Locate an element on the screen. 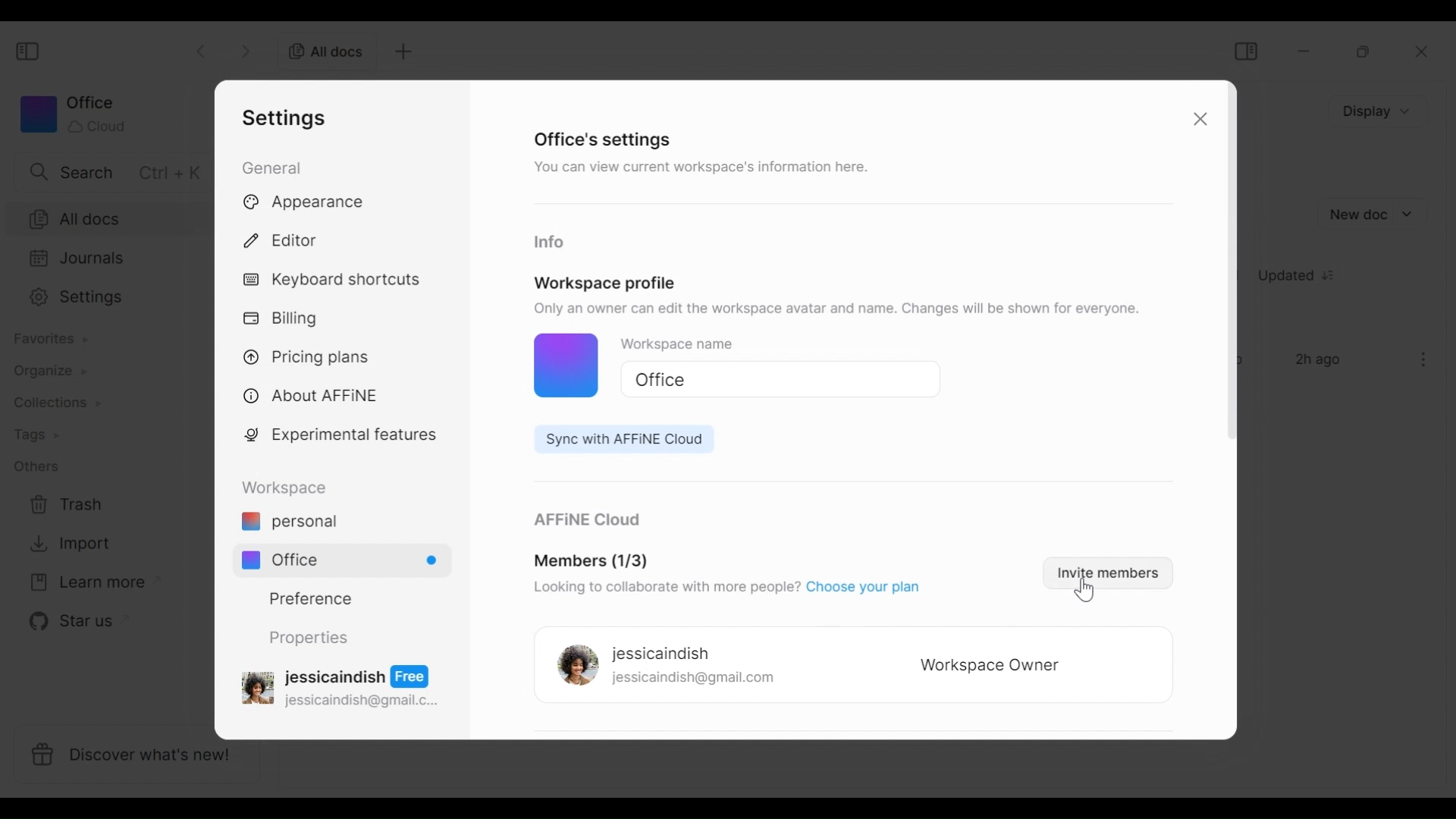 The width and height of the screenshot is (1456, 819). Only an owner can edit the workspace avatar and name. Changes will be shown for everyone. is located at coordinates (840, 309).